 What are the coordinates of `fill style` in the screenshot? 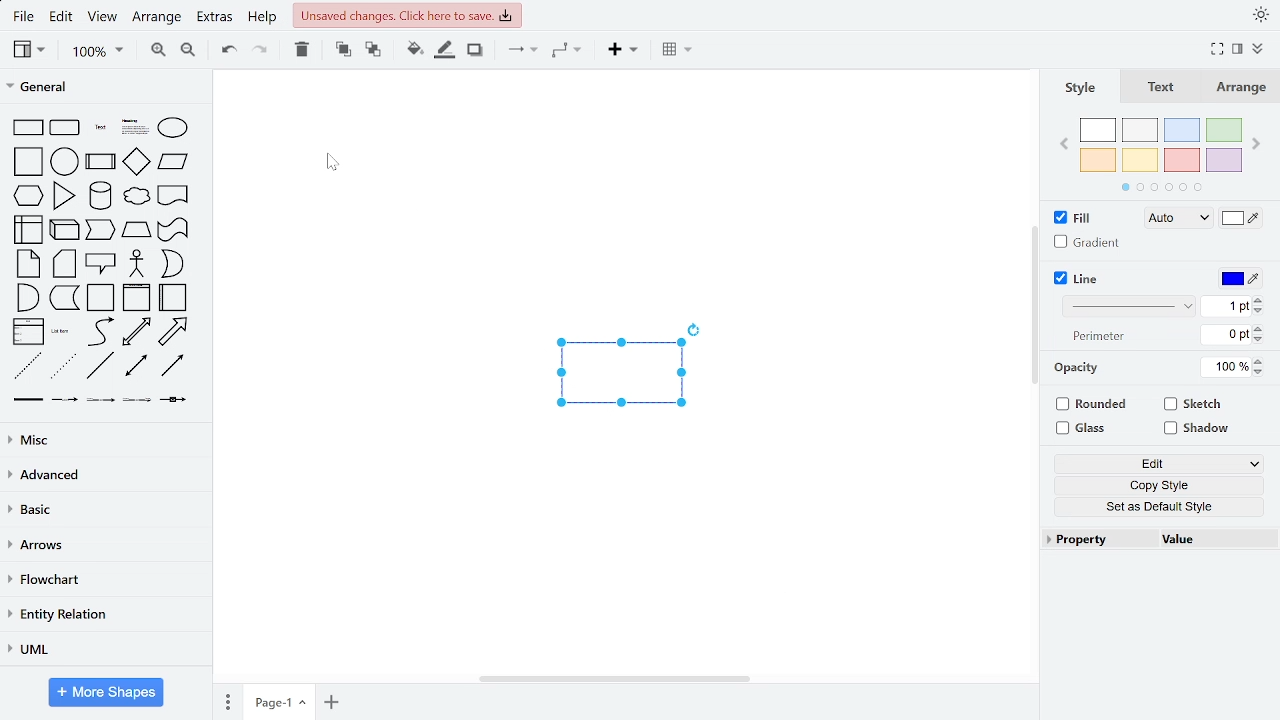 It's located at (1174, 219).